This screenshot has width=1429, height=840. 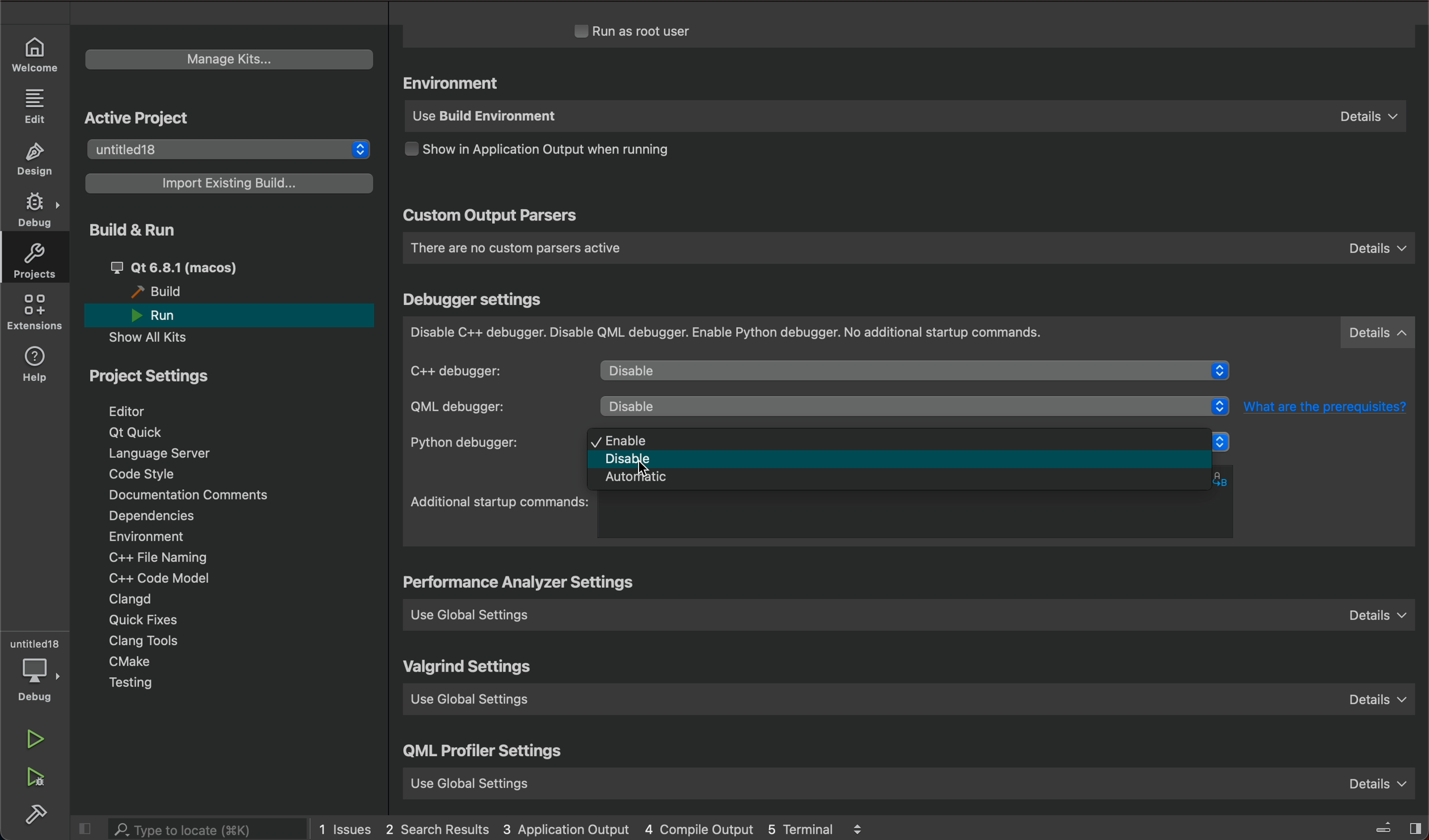 What do you see at coordinates (37, 105) in the screenshot?
I see `EDIT` at bounding box center [37, 105].